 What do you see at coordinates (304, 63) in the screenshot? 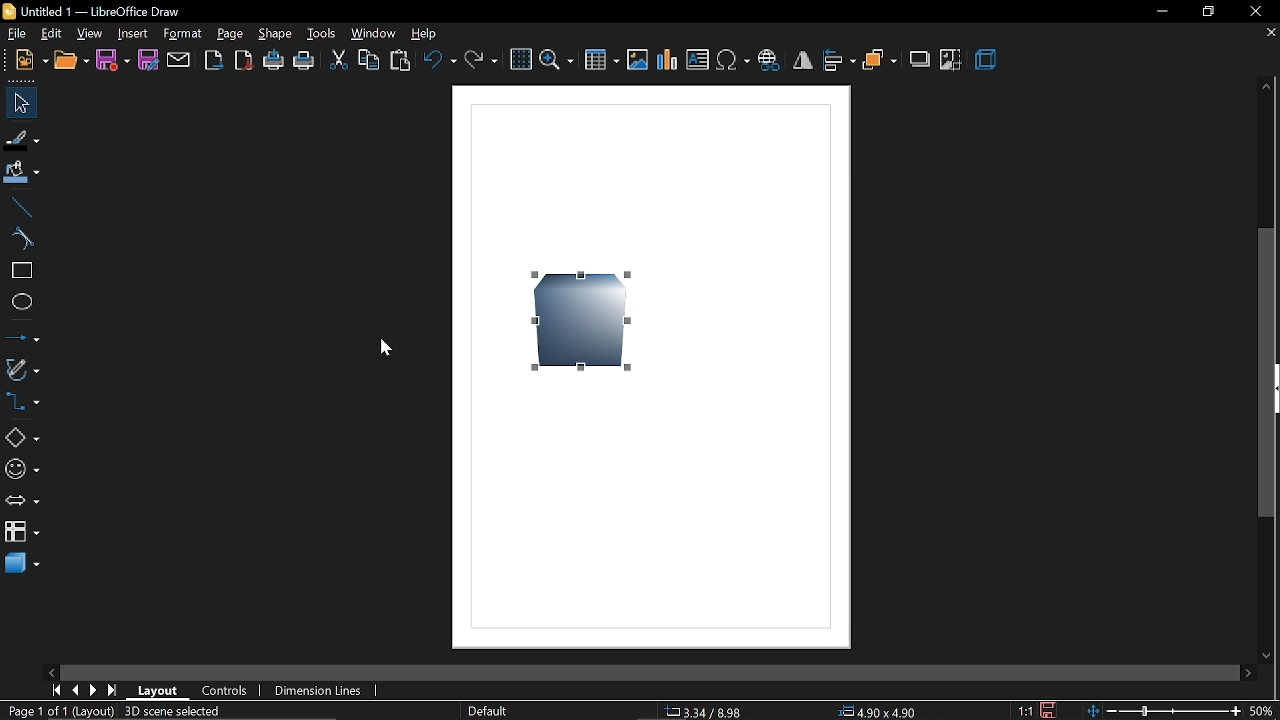
I see `print` at bounding box center [304, 63].